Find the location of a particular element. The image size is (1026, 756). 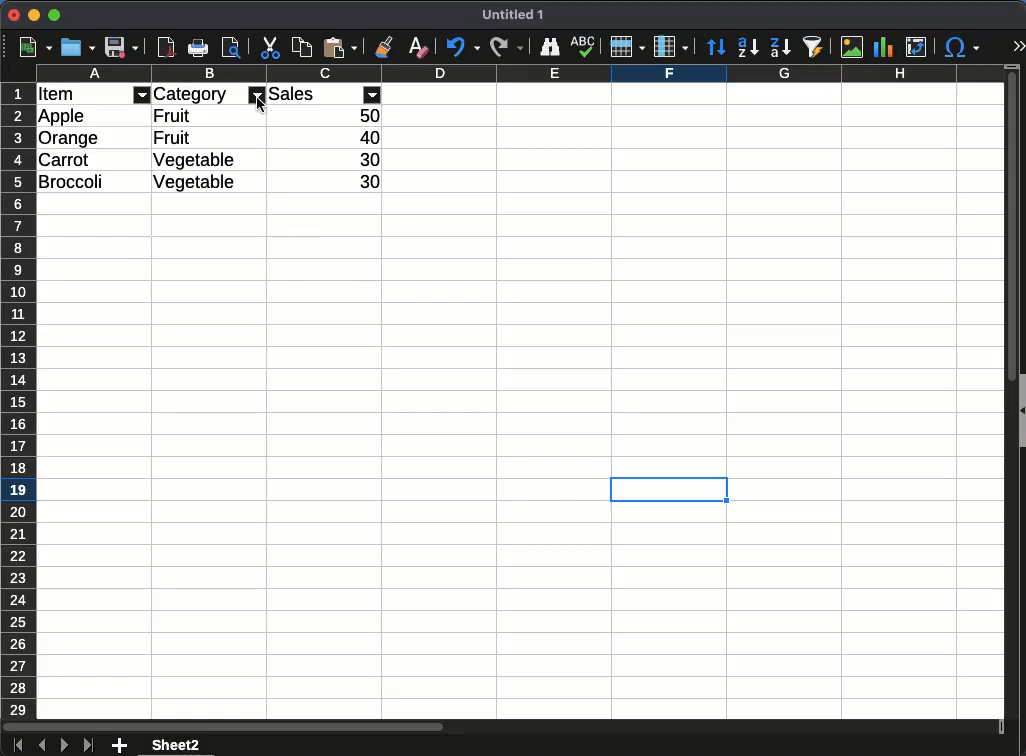

vegetable is located at coordinates (198, 161).